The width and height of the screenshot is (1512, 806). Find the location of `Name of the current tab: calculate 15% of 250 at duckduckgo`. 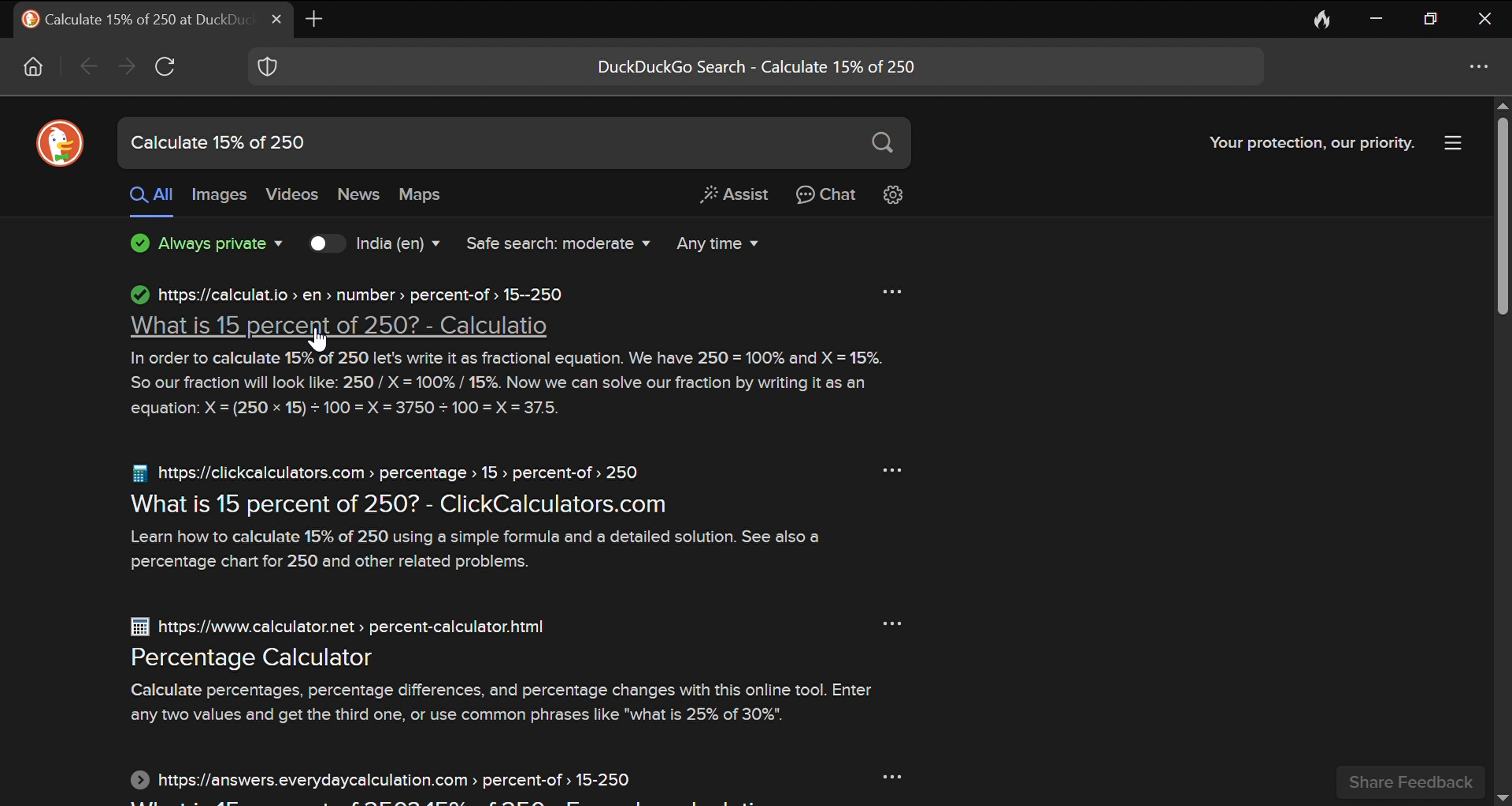

Name of the current tab: calculate 15% of 250 at duckduckgo is located at coordinates (130, 18).